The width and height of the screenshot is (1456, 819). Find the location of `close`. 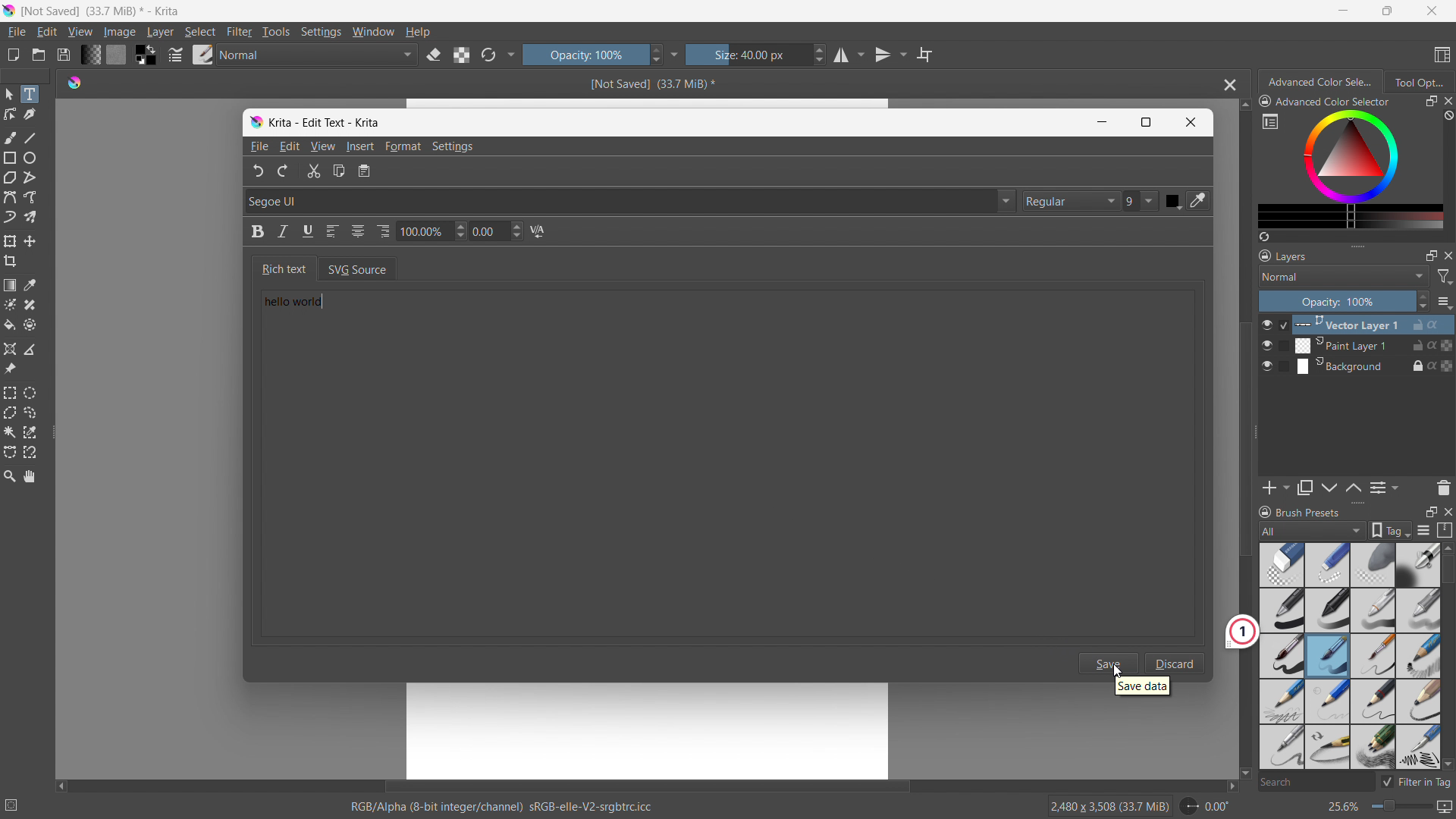

close is located at coordinates (1447, 510).